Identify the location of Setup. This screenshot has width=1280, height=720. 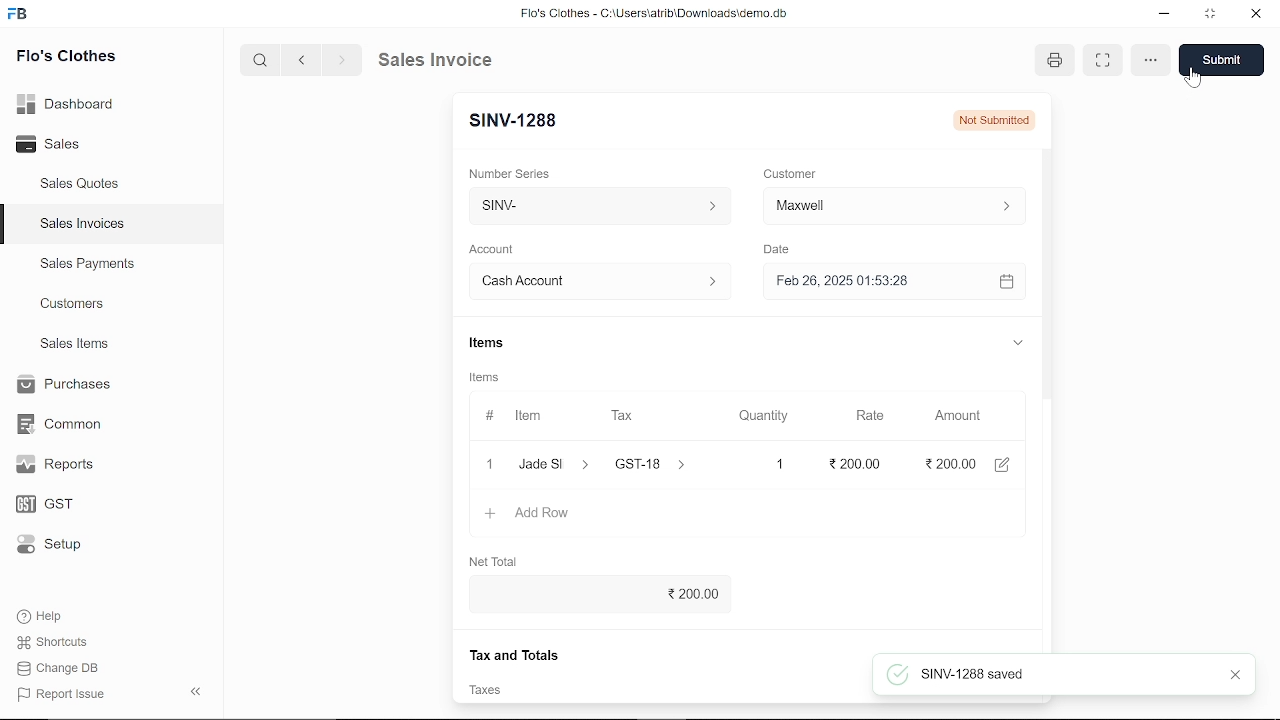
(63, 546).